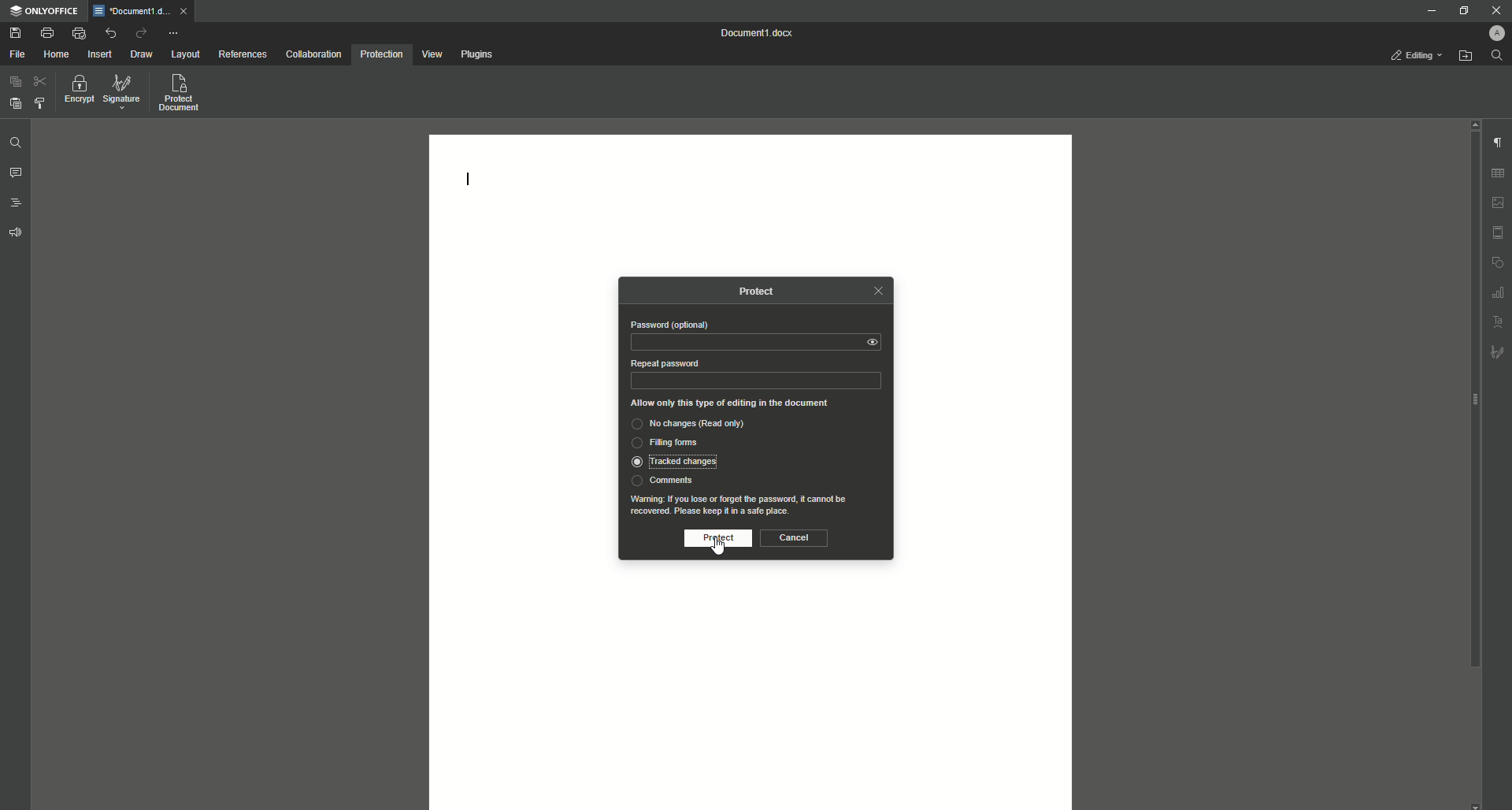  I want to click on scroll up, so click(1475, 124).